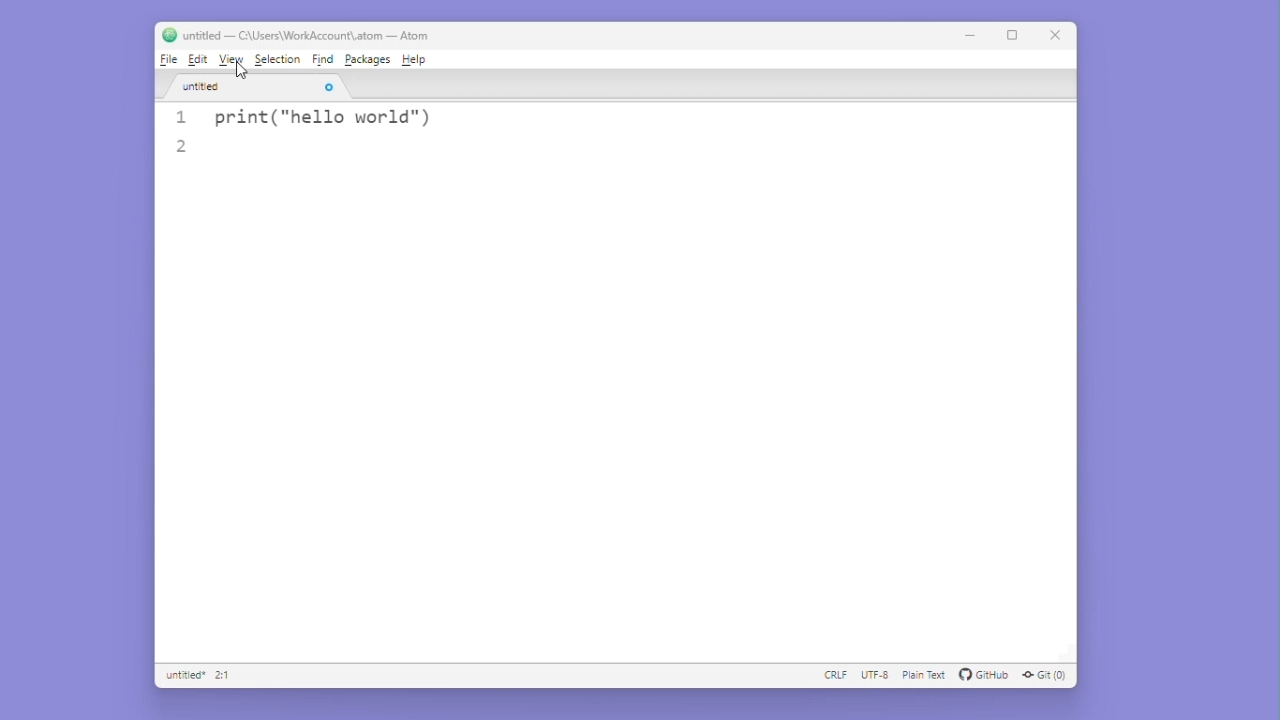 The height and width of the screenshot is (720, 1280). Describe the element at coordinates (231, 61) in the screenshot. I see `view ` at that location.